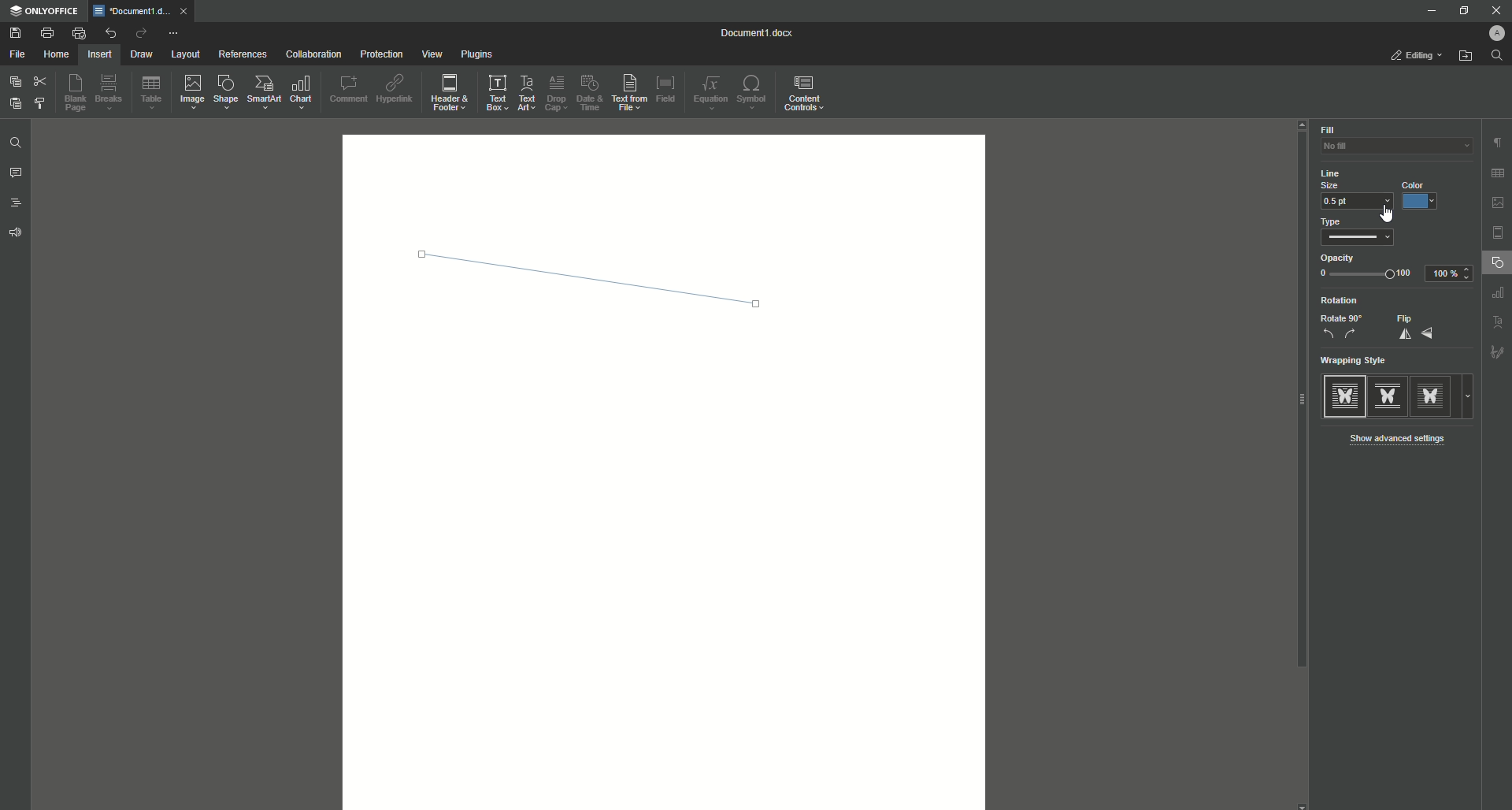 The image size is (1512, 810). I want to click on , so click(1496, 295).